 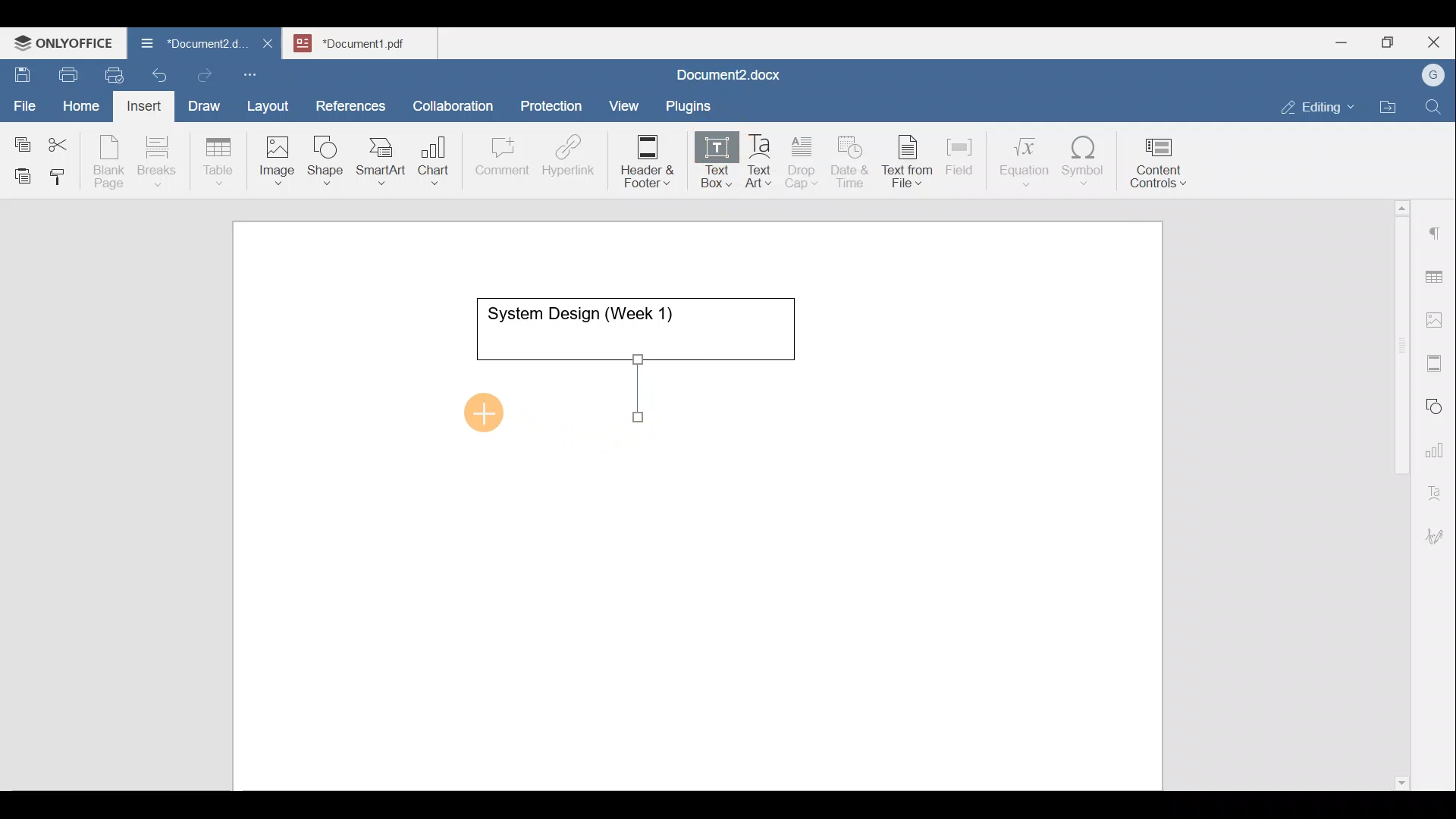 What do you see at coordinates (26, 101) in the screenshot?
I see `File` at bounding box center [26, 101].